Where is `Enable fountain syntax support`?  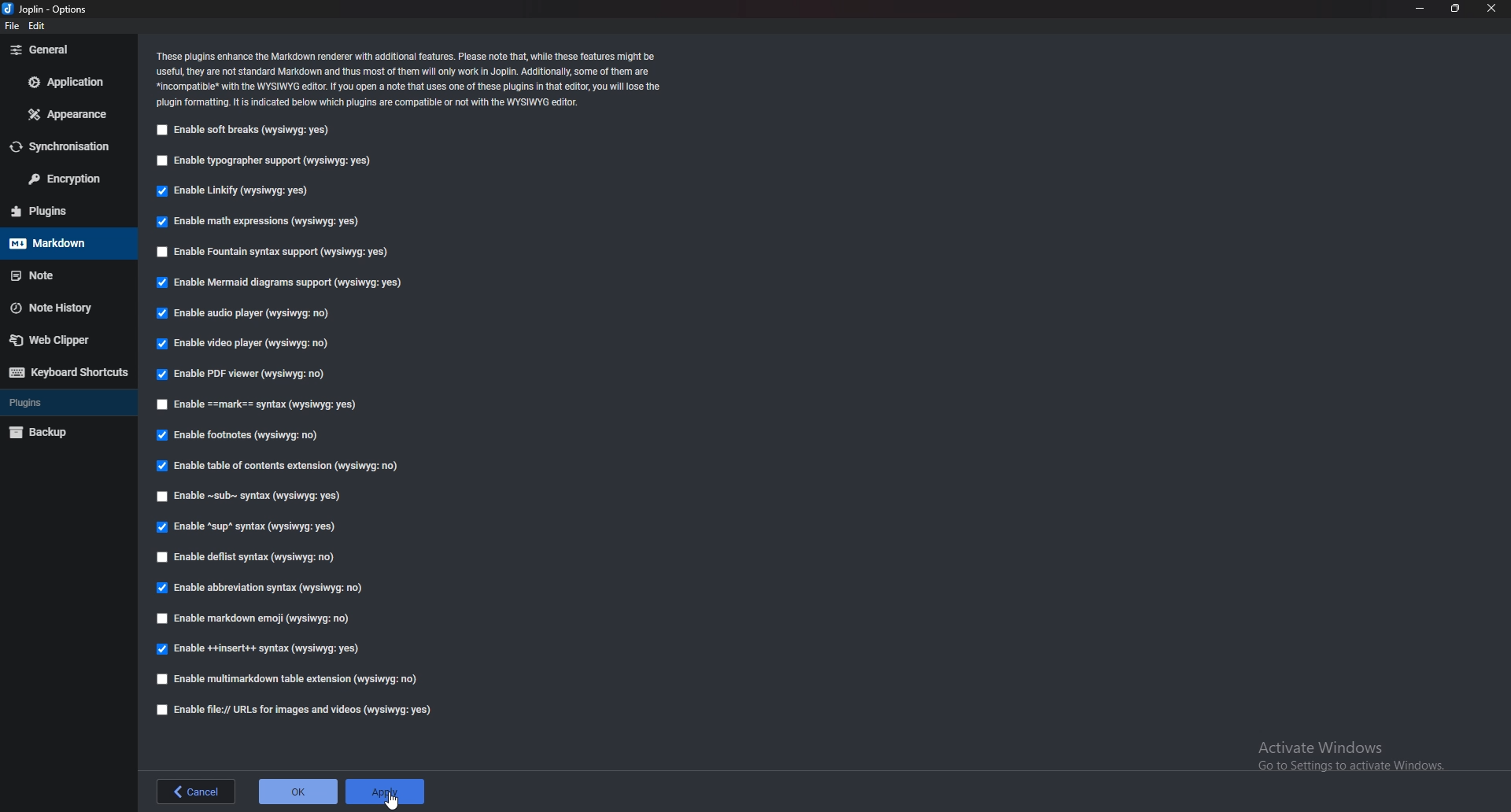 Enable fountain syntax support is located at coordinates (276, 253).